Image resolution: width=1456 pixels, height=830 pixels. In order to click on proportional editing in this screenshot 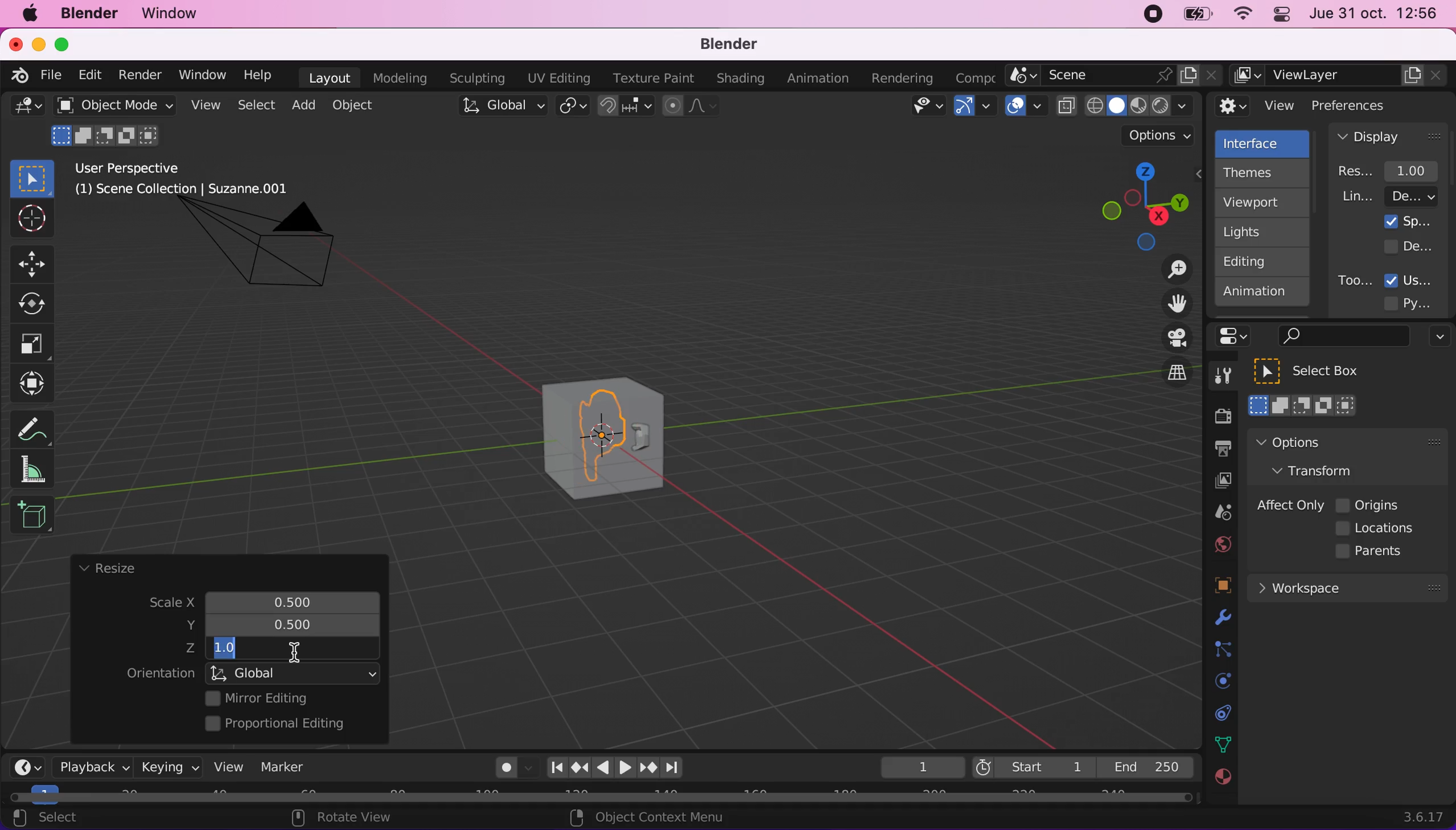, I will do `click(283, 725)`.